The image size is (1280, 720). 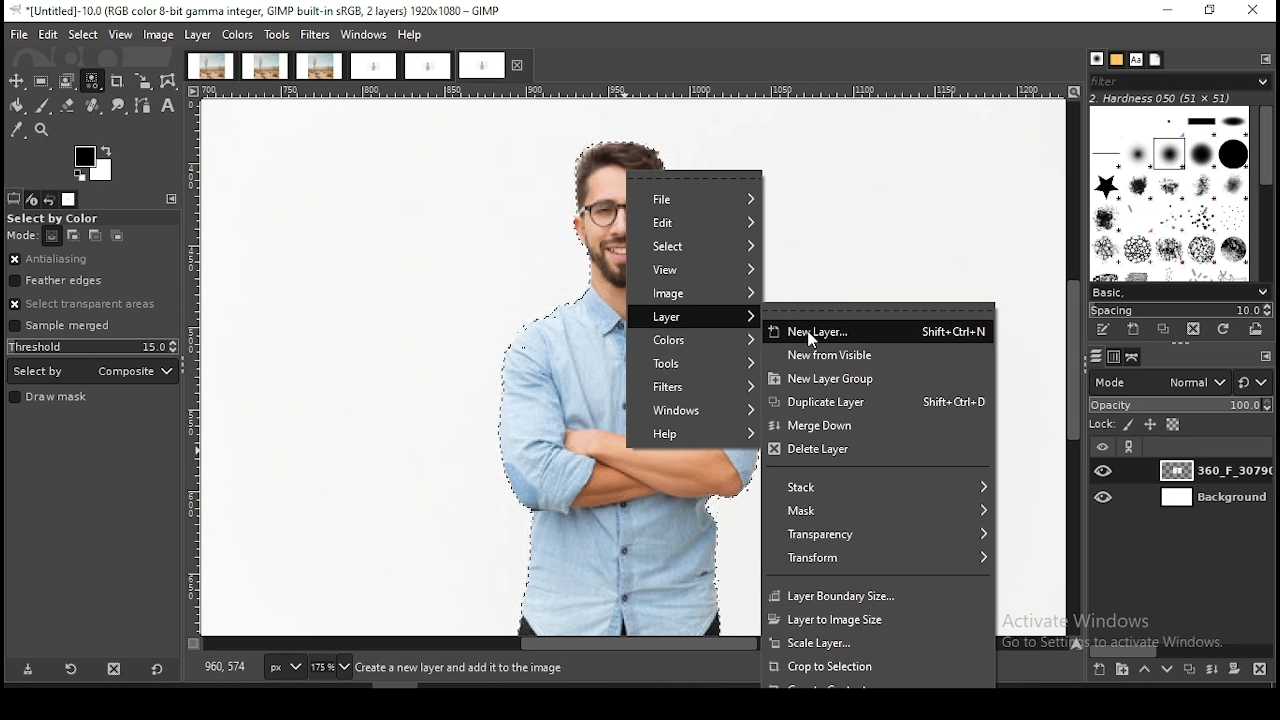 I want to click on color picker tool, so click(x=16, y=130).